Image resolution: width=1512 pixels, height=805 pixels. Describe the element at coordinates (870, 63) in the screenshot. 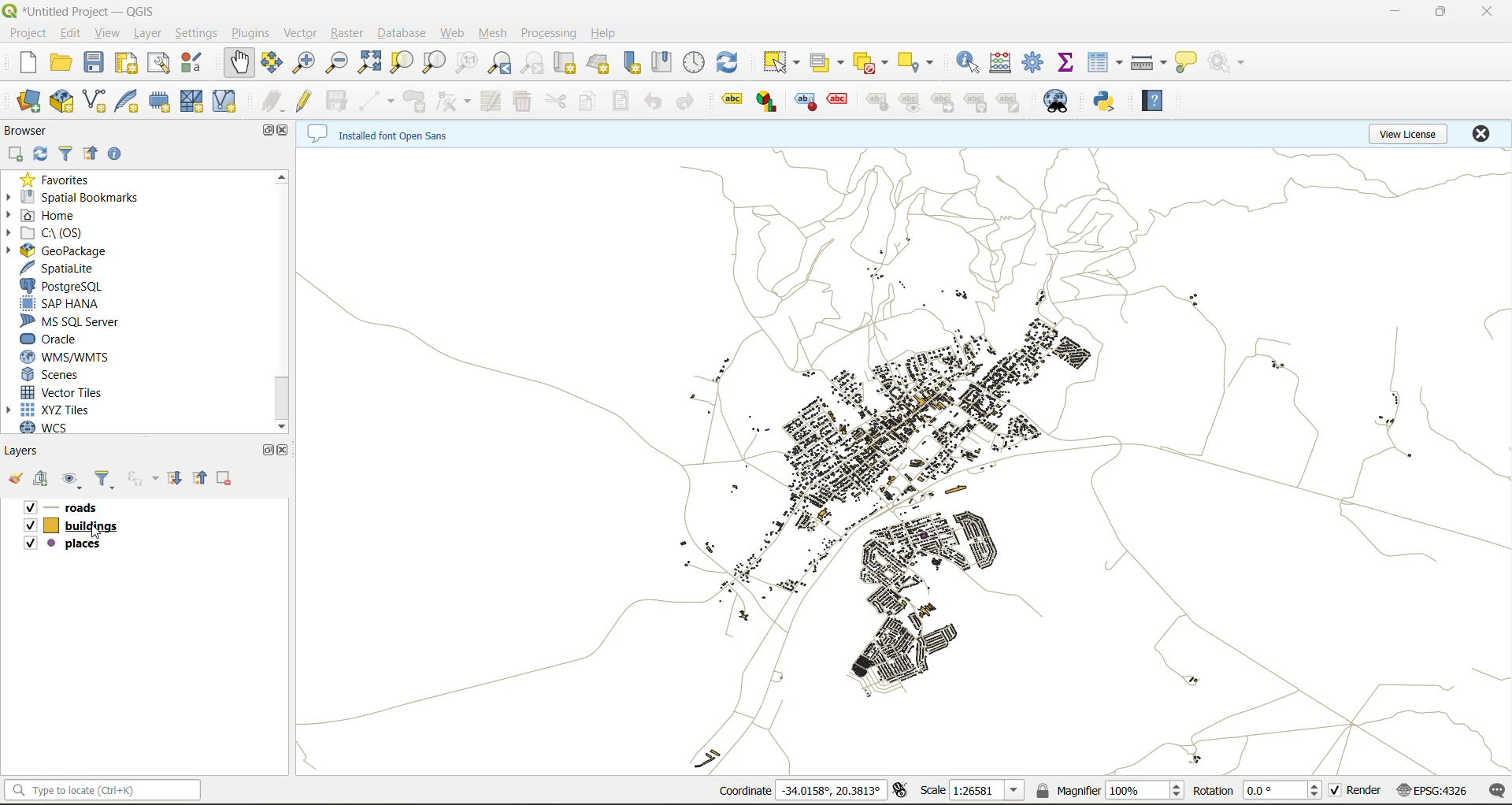

I see `deselect` at that location.